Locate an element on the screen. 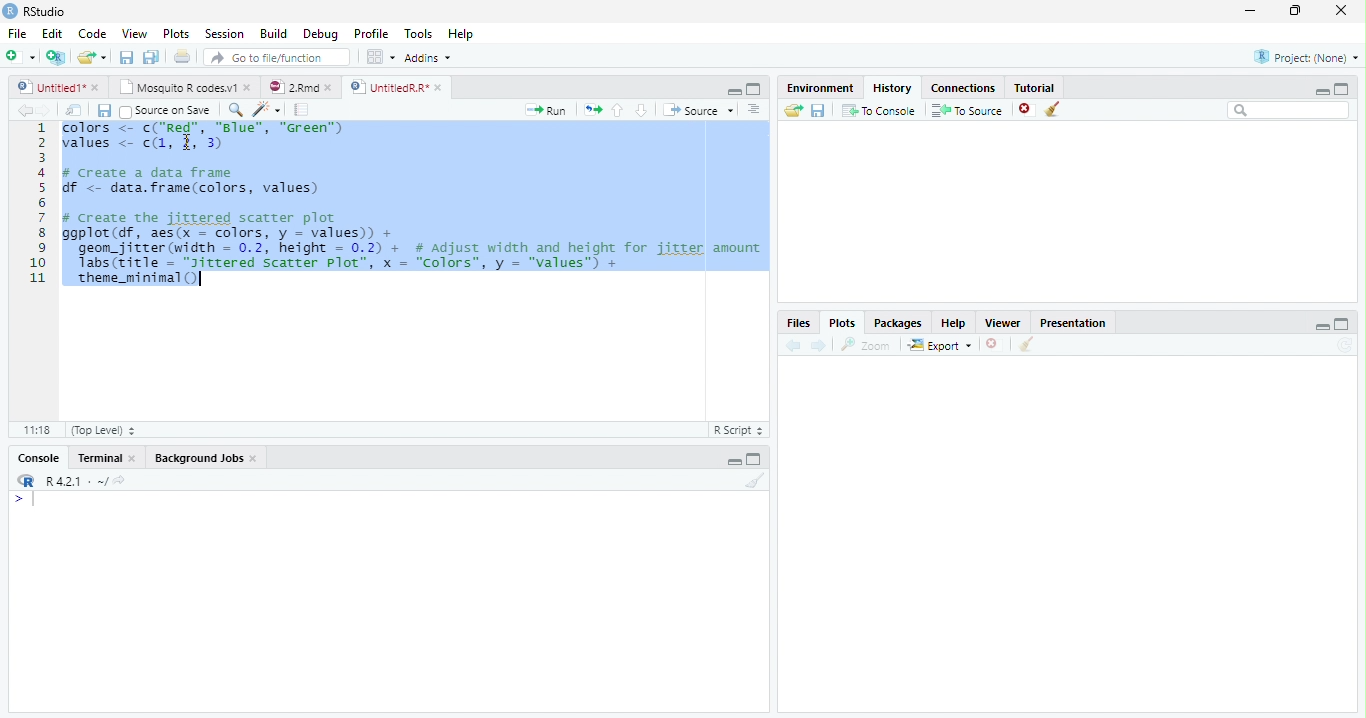  Mosquito R codes.v1 is located at coordinates (175, 87).